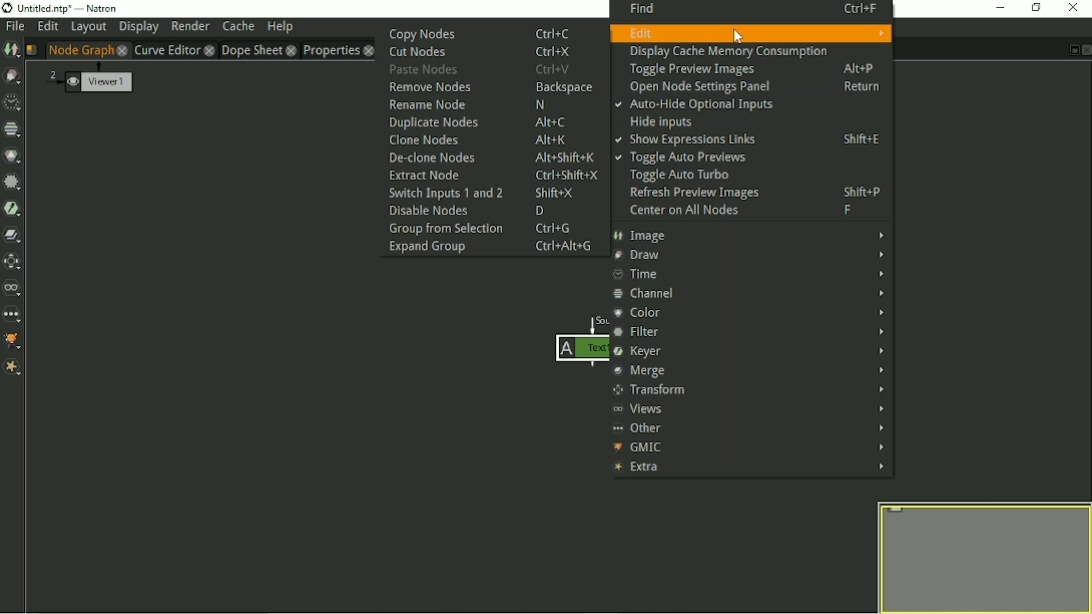 Image resolution: width=1092 pixels, height=614 pixels. Describe the element at coordinates (13, 183) in the screenshot. I see `Filter` at that location.